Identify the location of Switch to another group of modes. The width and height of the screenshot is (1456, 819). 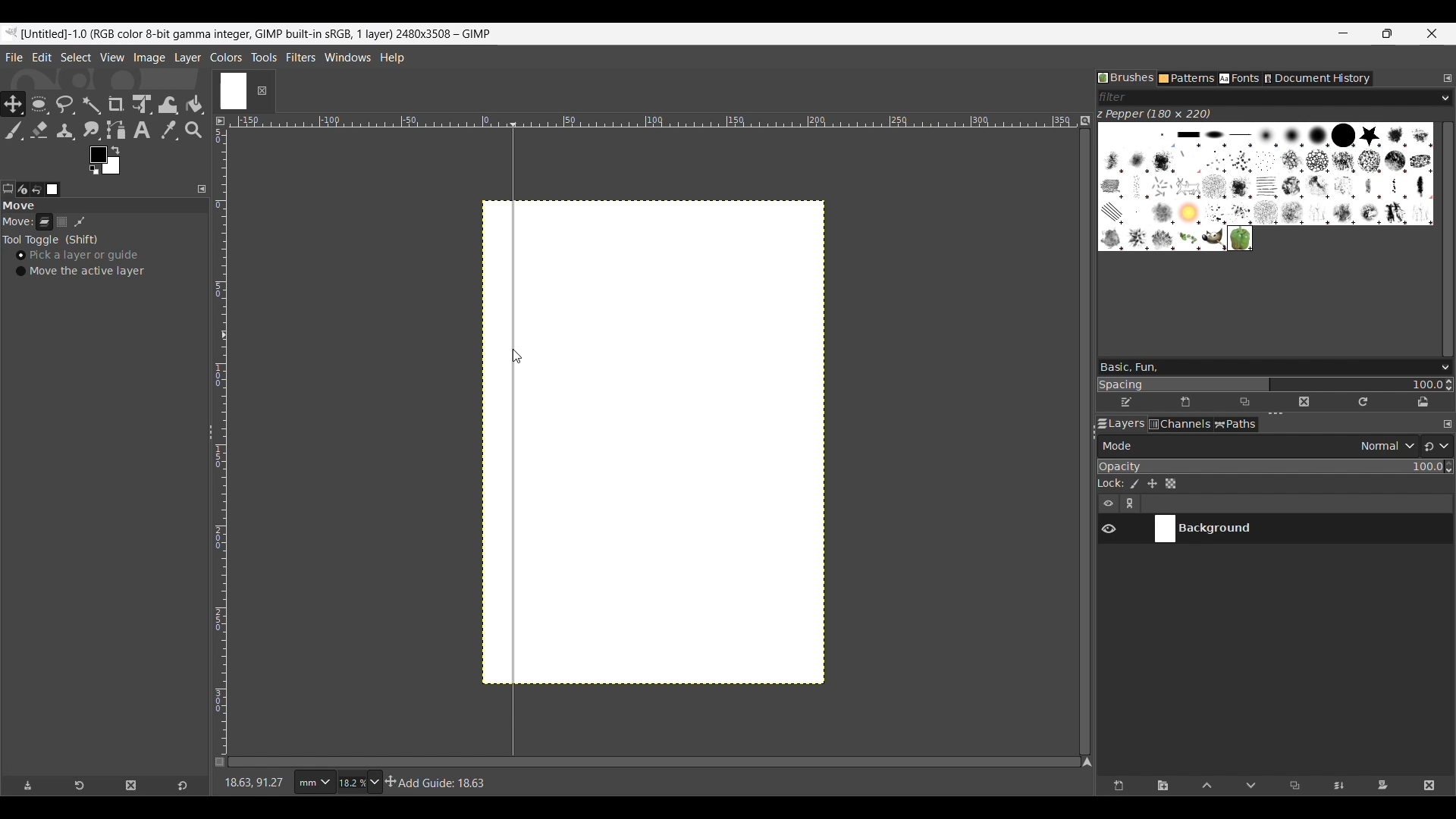
(1436, 446).